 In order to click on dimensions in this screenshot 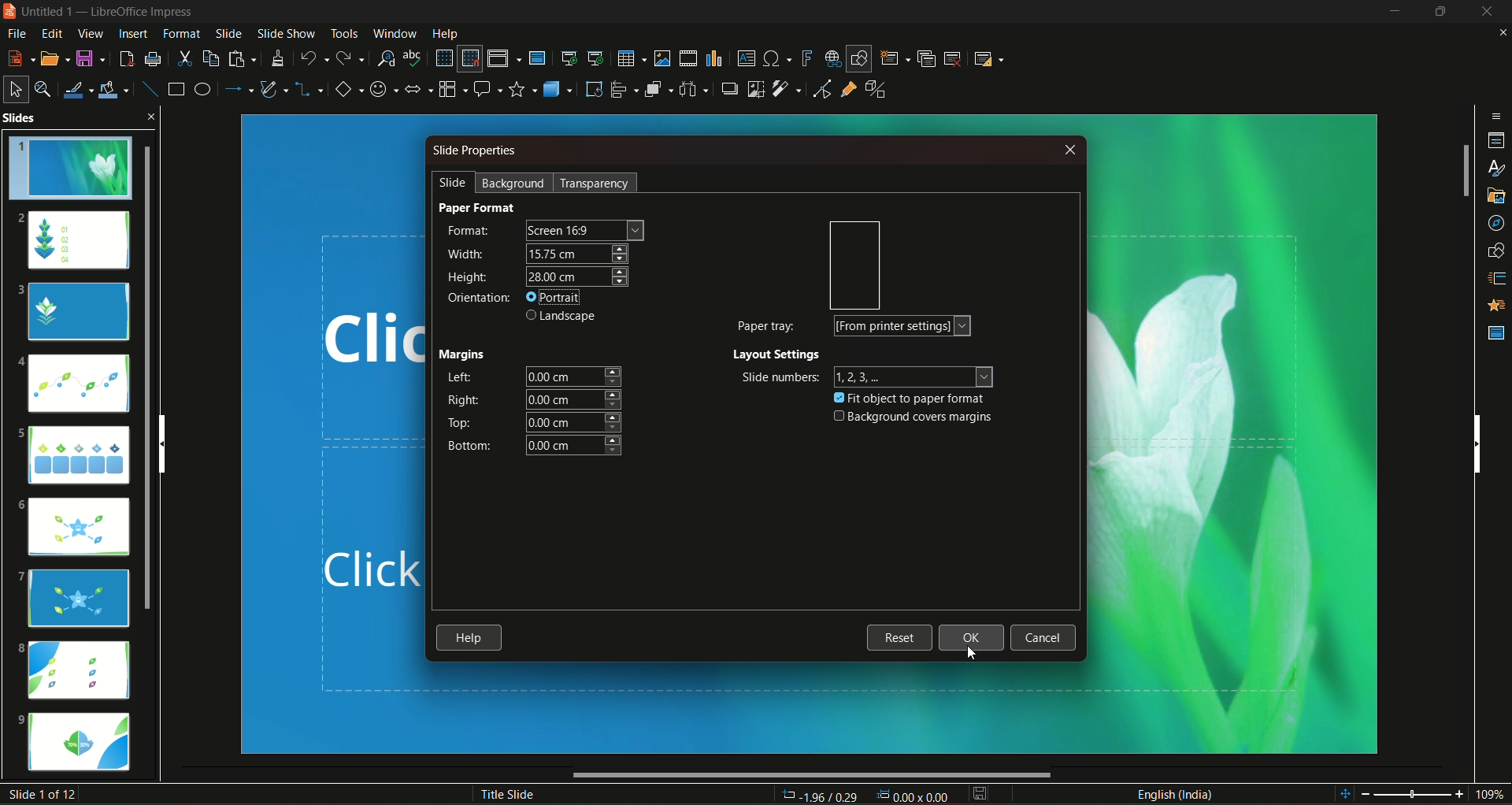, I will do `click(864, 794)`.